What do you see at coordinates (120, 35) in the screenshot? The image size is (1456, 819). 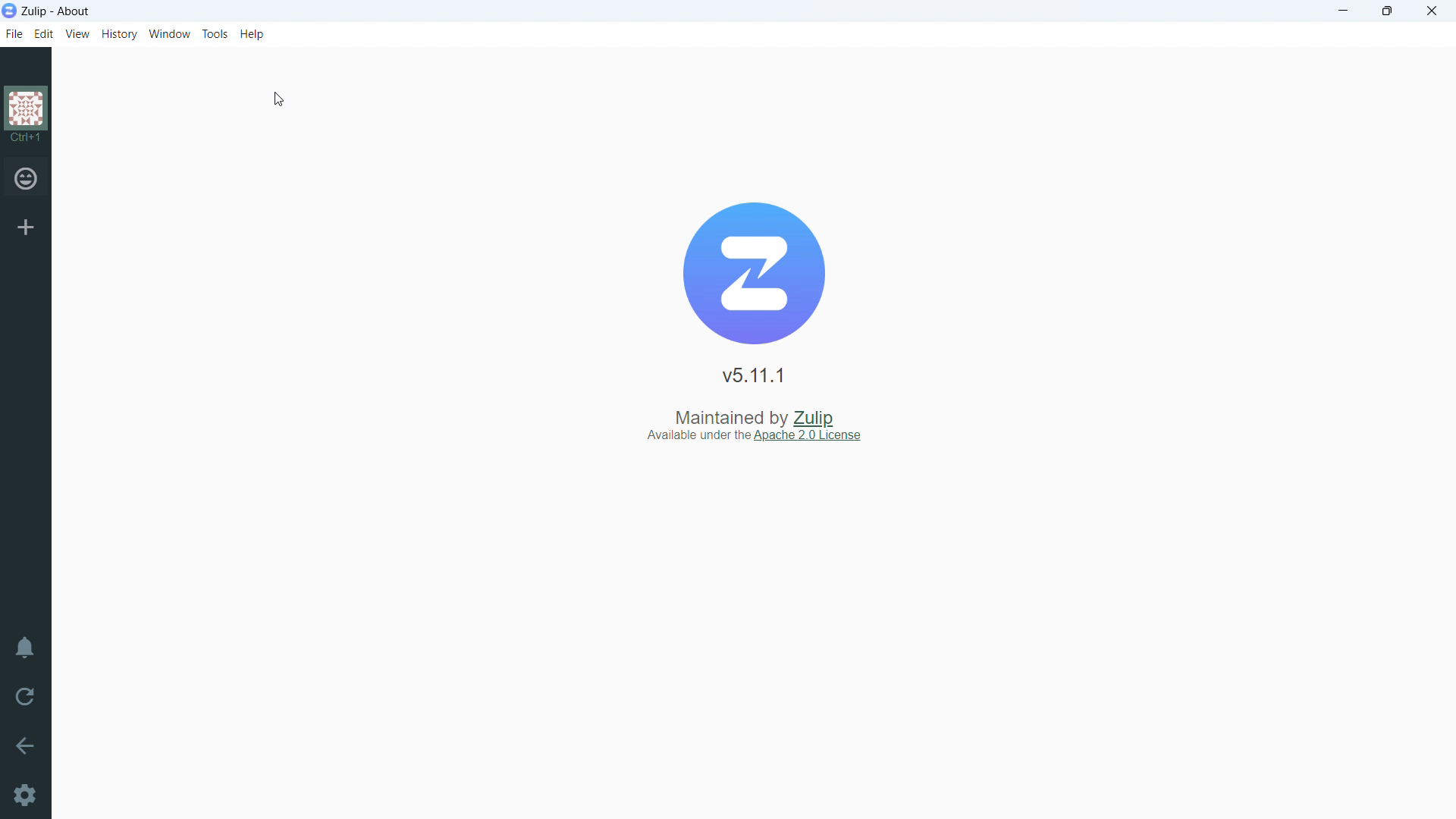 I see `history` at bounding box center [120, 35].